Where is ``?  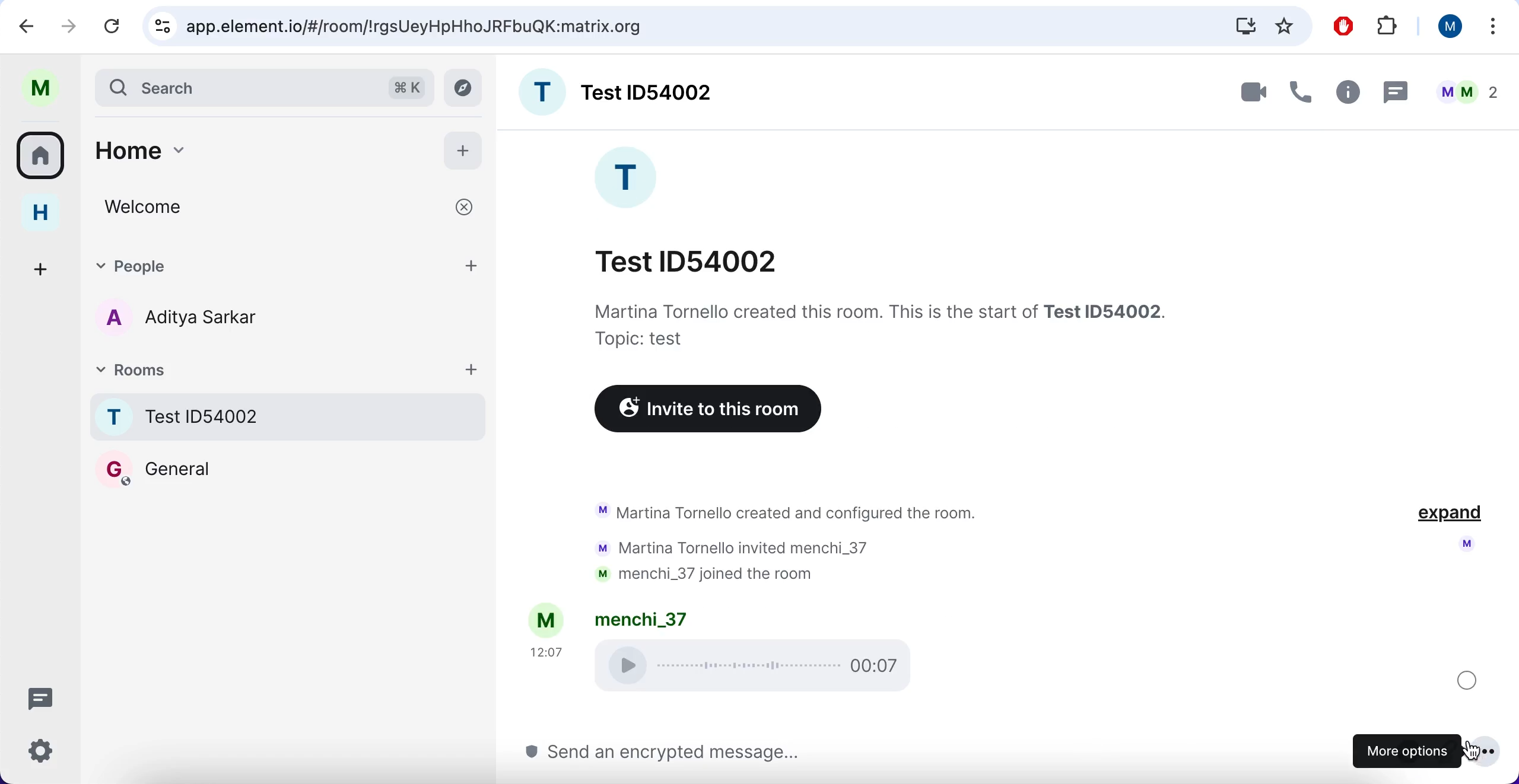
 is located at coordinates (1346, 91).